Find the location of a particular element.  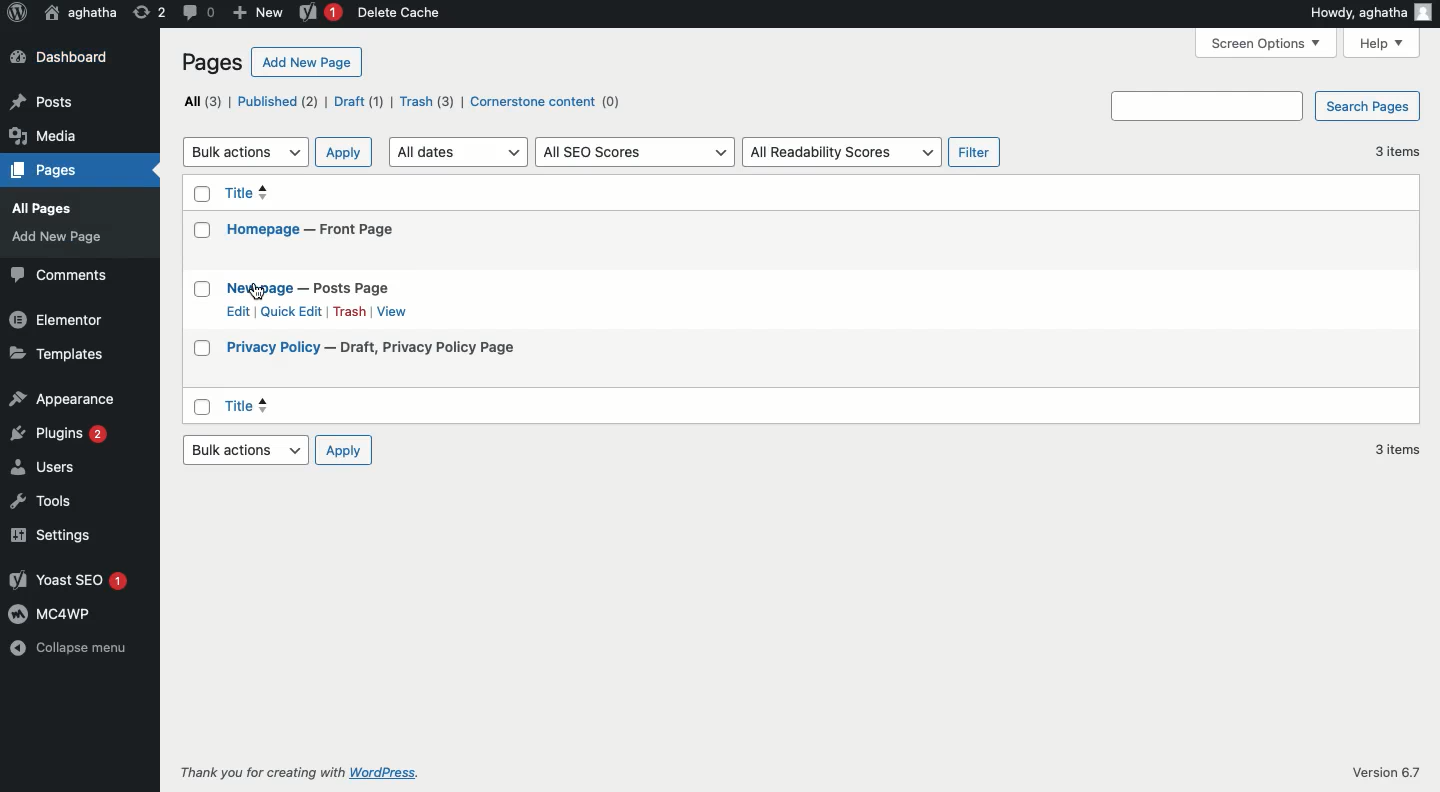

Delete cache is located at coordinates (400, 13).